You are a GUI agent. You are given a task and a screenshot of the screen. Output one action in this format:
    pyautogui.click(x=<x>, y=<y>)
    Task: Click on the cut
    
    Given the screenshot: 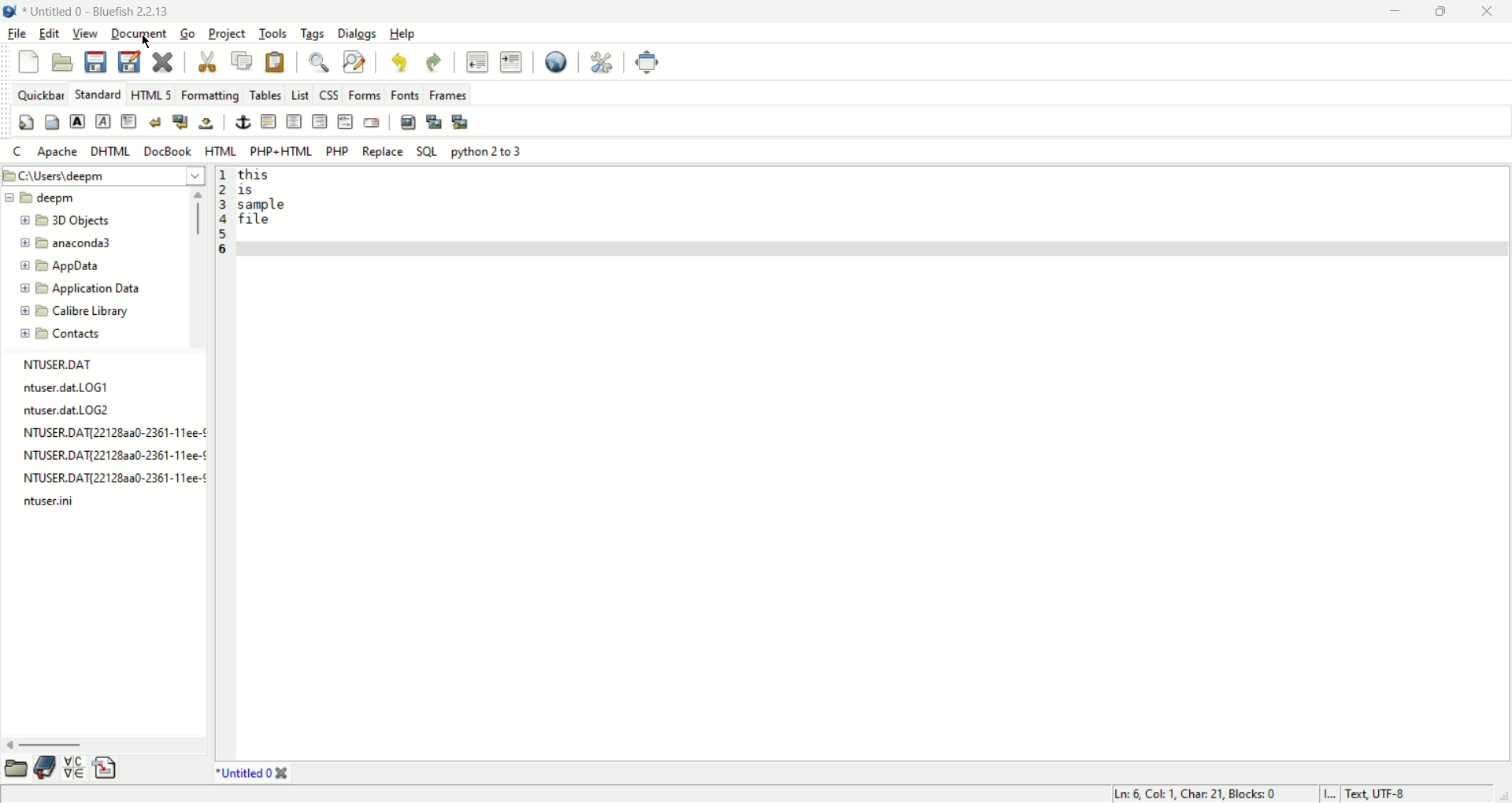 What is the action you would take?
    pyautogui.click(x=212, y=61)
    